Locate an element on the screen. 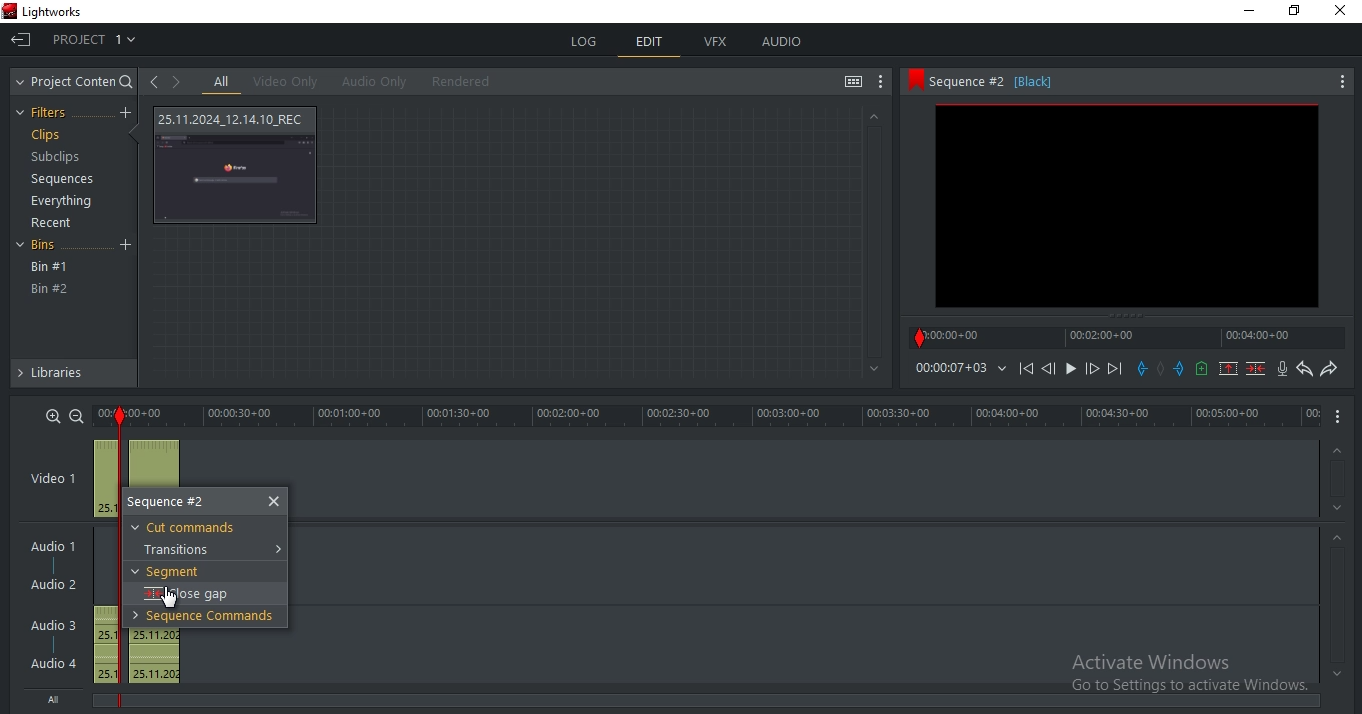 Image resolution: width=1362 pixels, height=714 pixels. Audio 1 is located at coordinates (57, 543).